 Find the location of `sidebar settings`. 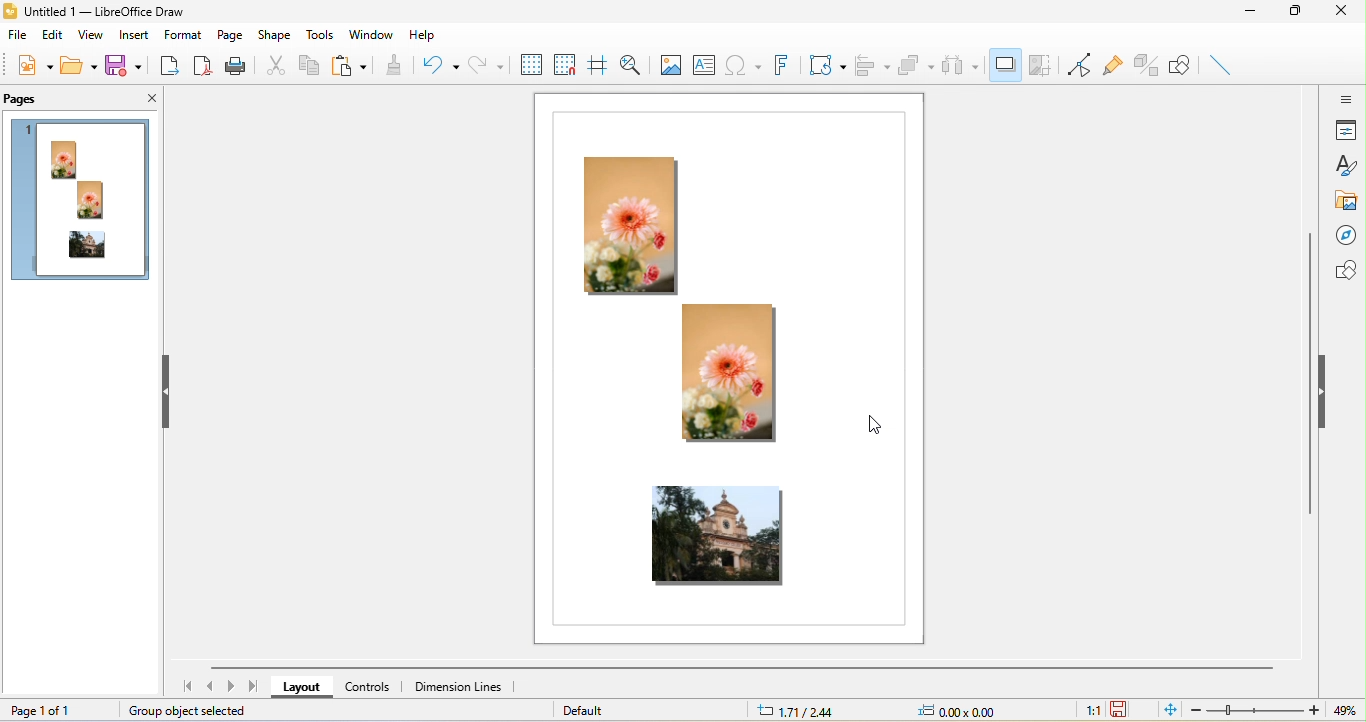

sidebar settings is located at coordinates (1346, 101).